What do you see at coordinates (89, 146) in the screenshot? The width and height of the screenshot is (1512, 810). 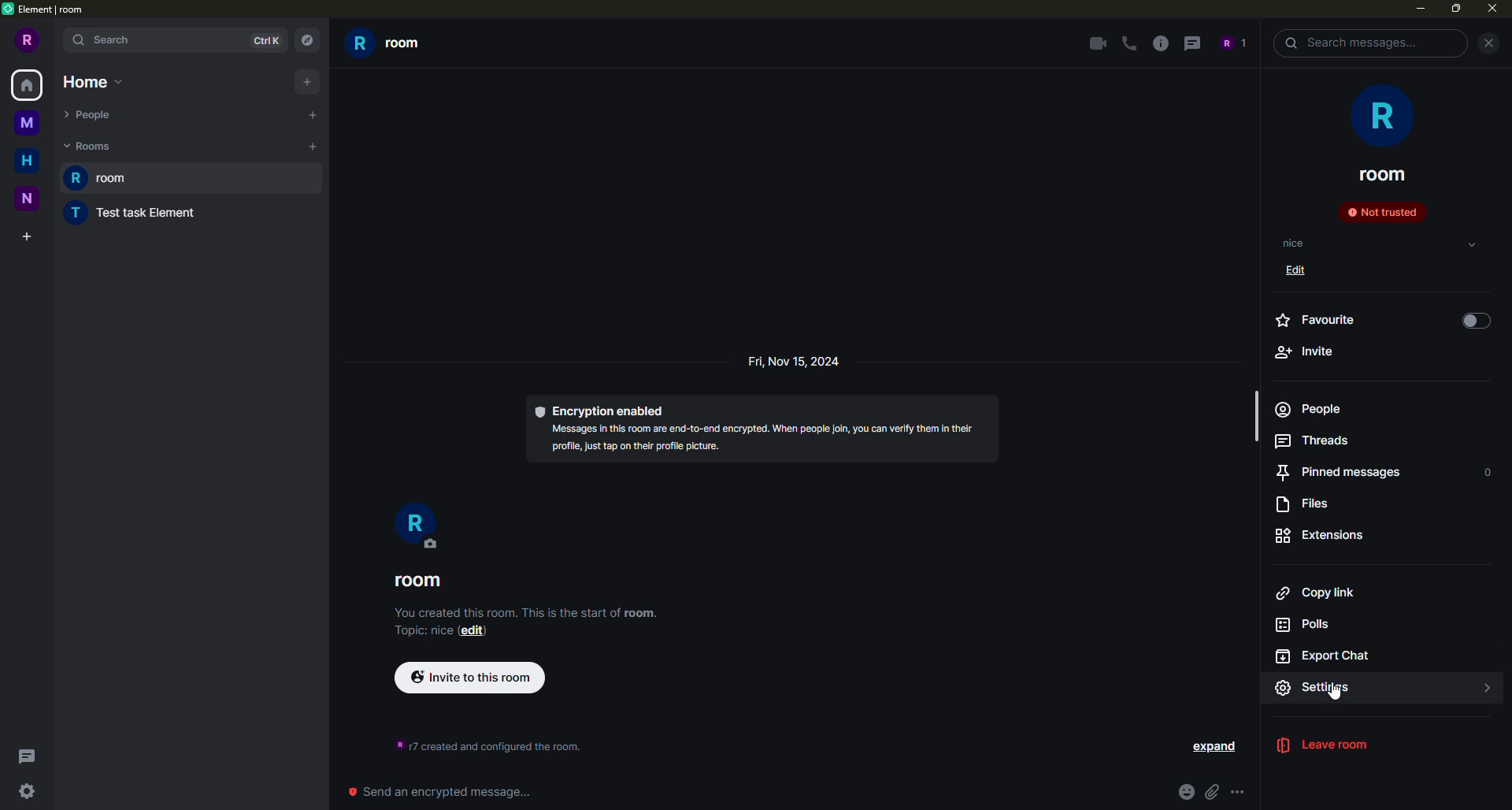 I see `rooms` at bounding box center [89, 146].